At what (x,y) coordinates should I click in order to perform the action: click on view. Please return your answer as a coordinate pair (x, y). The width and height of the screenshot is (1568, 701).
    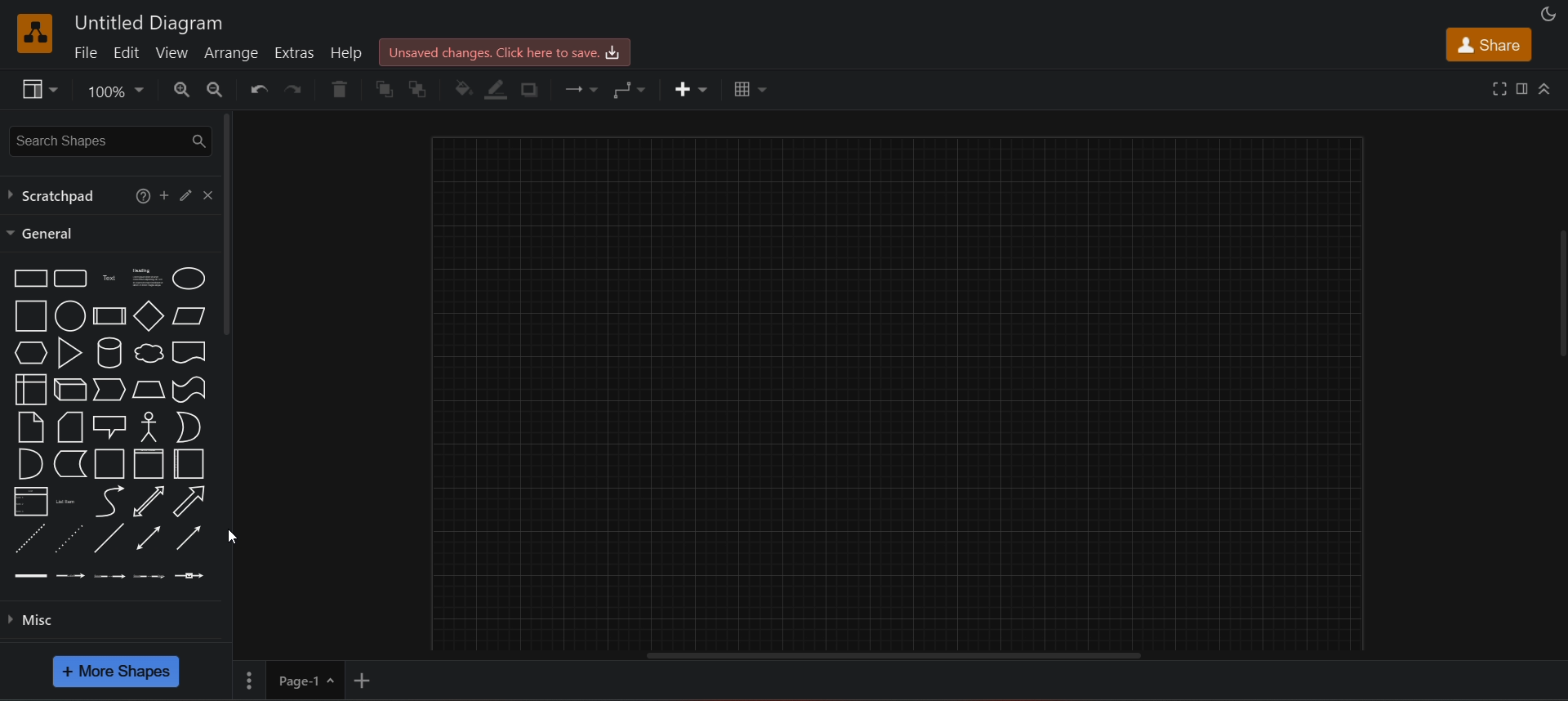
    Looking at the image, I should click on (173, 52).